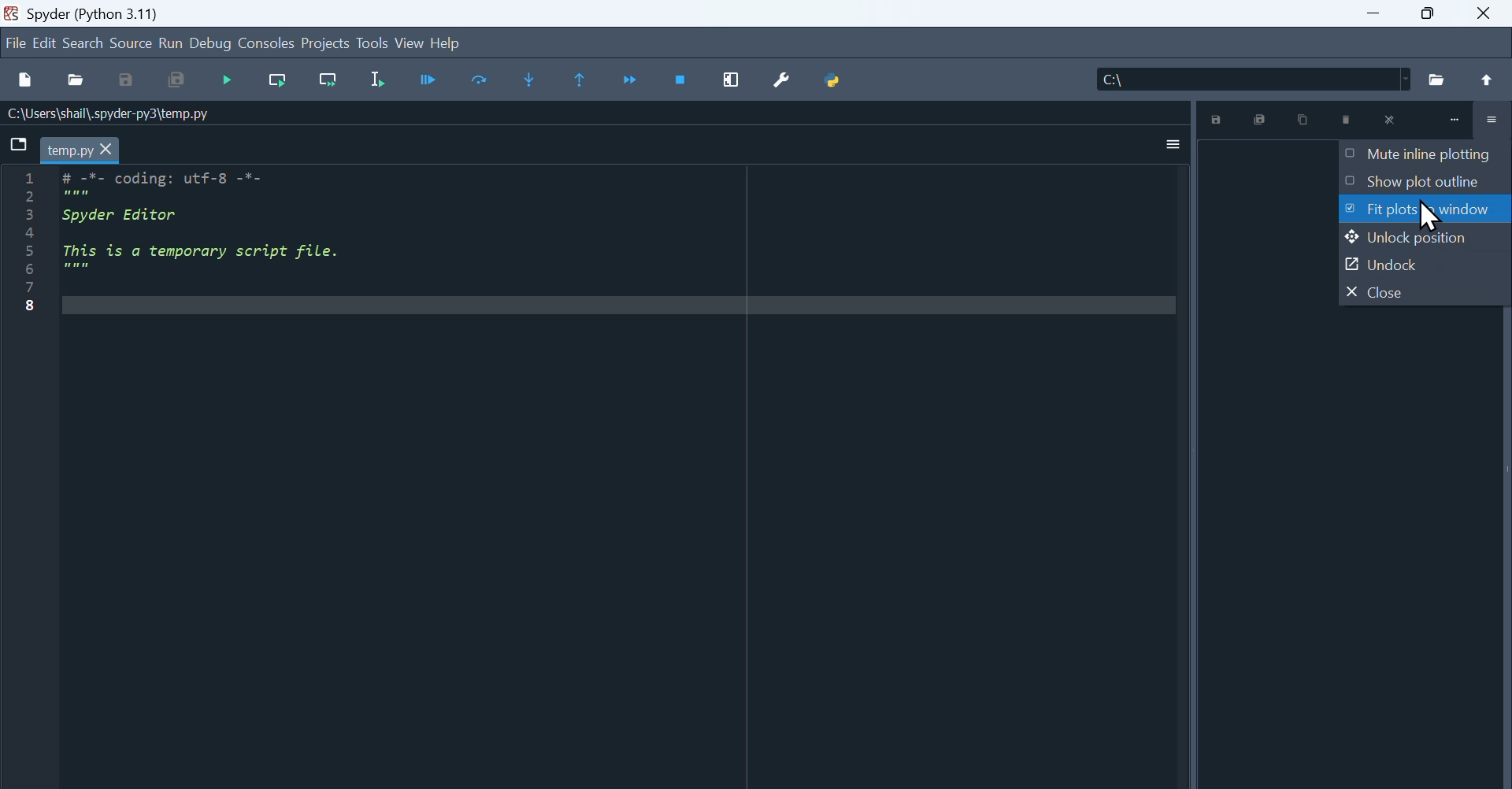  Describe the element at coordinates (598, 469) in the screenshot. I see `# -*- coding: utf-8 -*- """ Spyder Editor  This is a temporary script file. """` at that location.